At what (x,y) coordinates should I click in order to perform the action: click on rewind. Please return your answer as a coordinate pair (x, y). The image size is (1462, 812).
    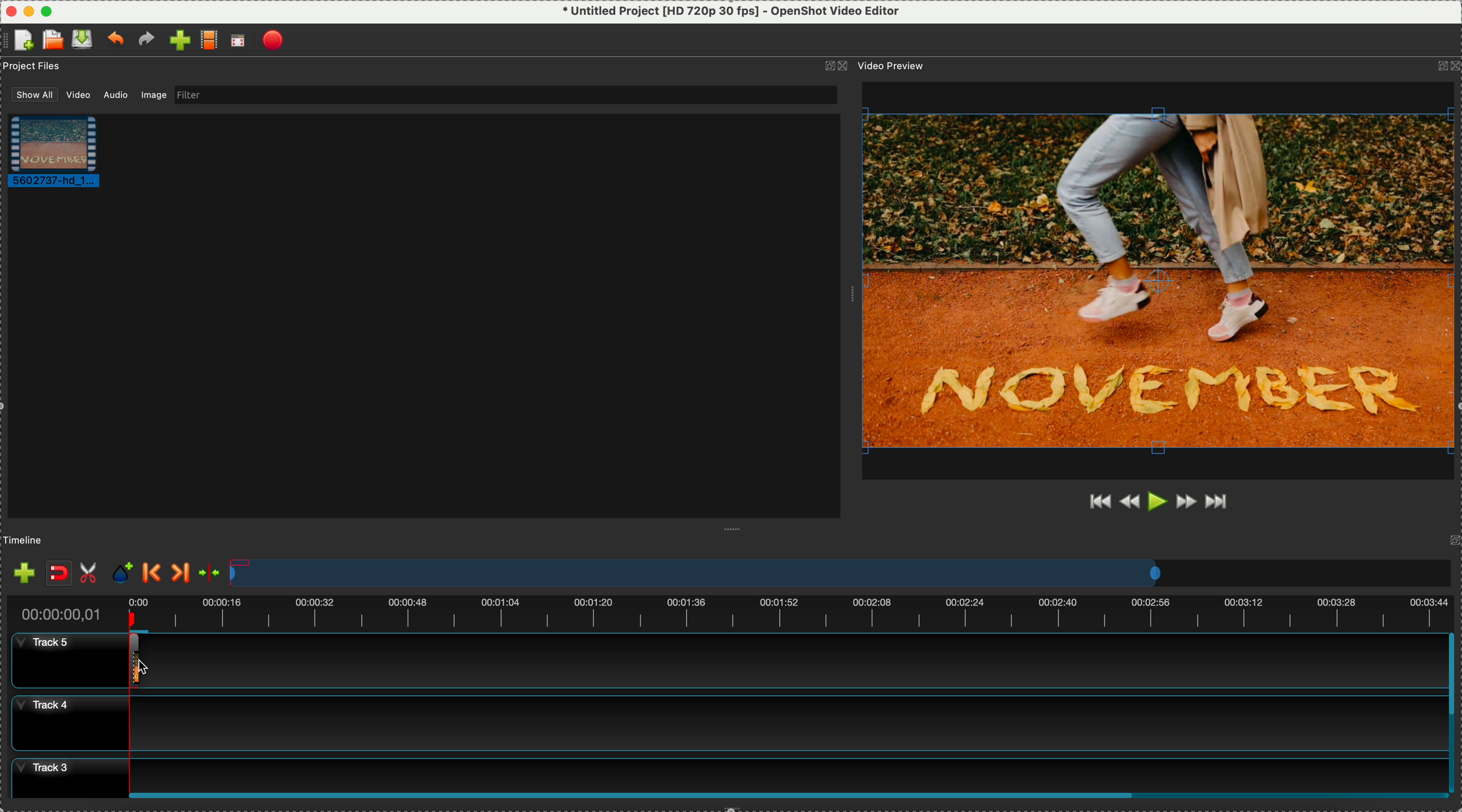
    Looking at the image, I should click on (1129, 504).